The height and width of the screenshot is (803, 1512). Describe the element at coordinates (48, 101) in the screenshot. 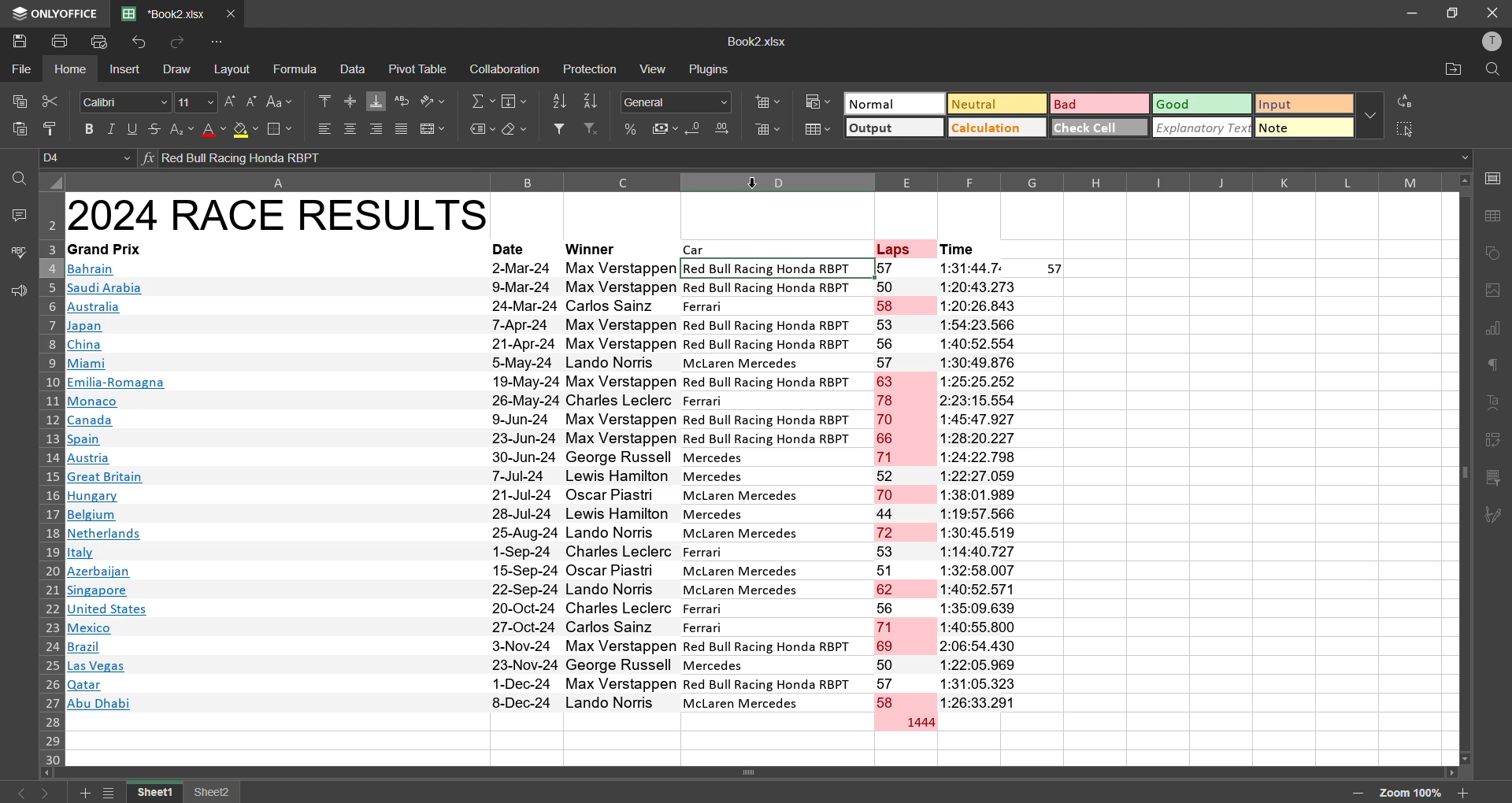

I see `cut` at that location.